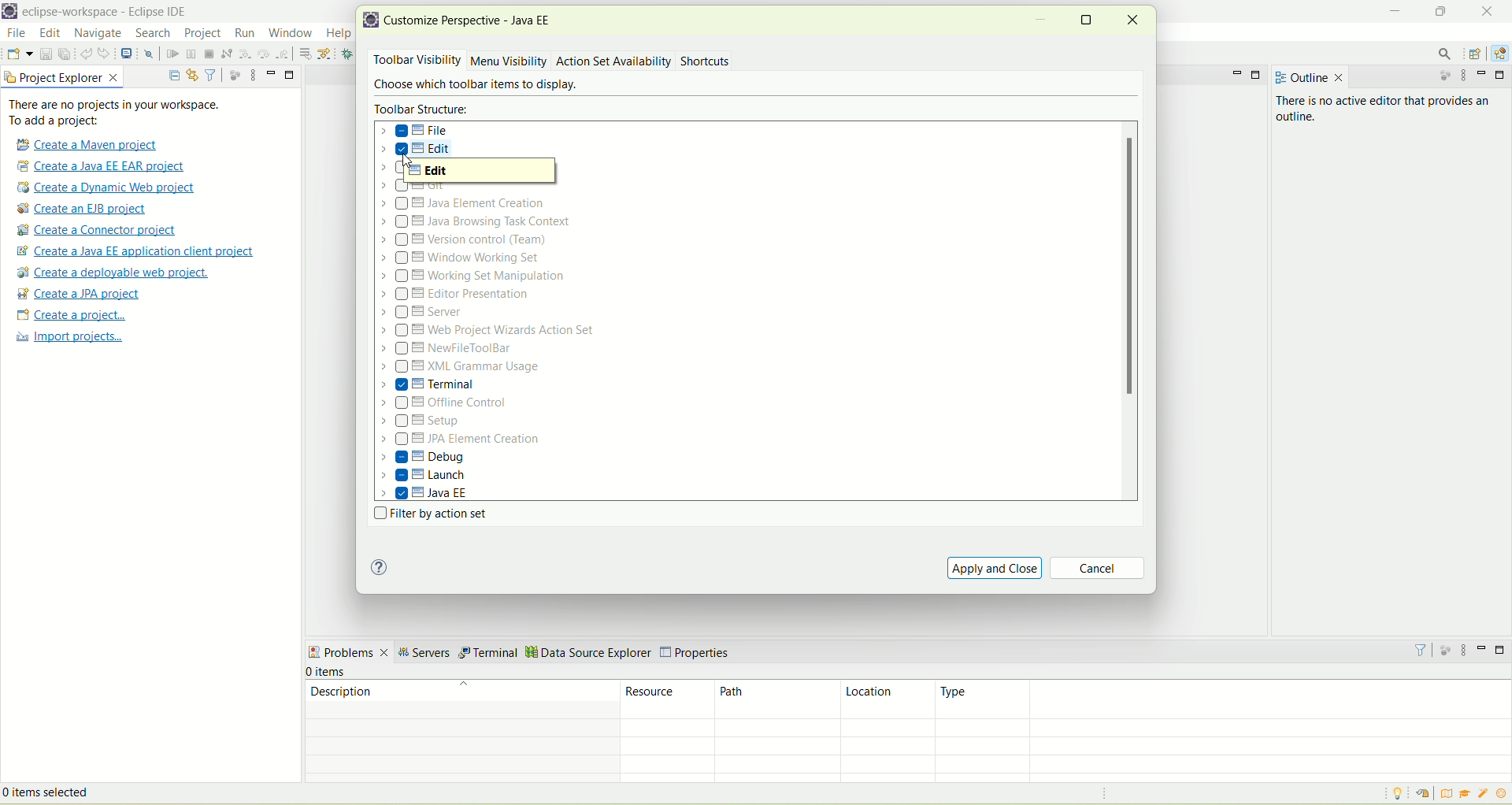 This screenshot has height=805, width=1512. Describe the element at coordinates (473, 20) in the screenshot. I see `customize perspective-Java EE` at that location.